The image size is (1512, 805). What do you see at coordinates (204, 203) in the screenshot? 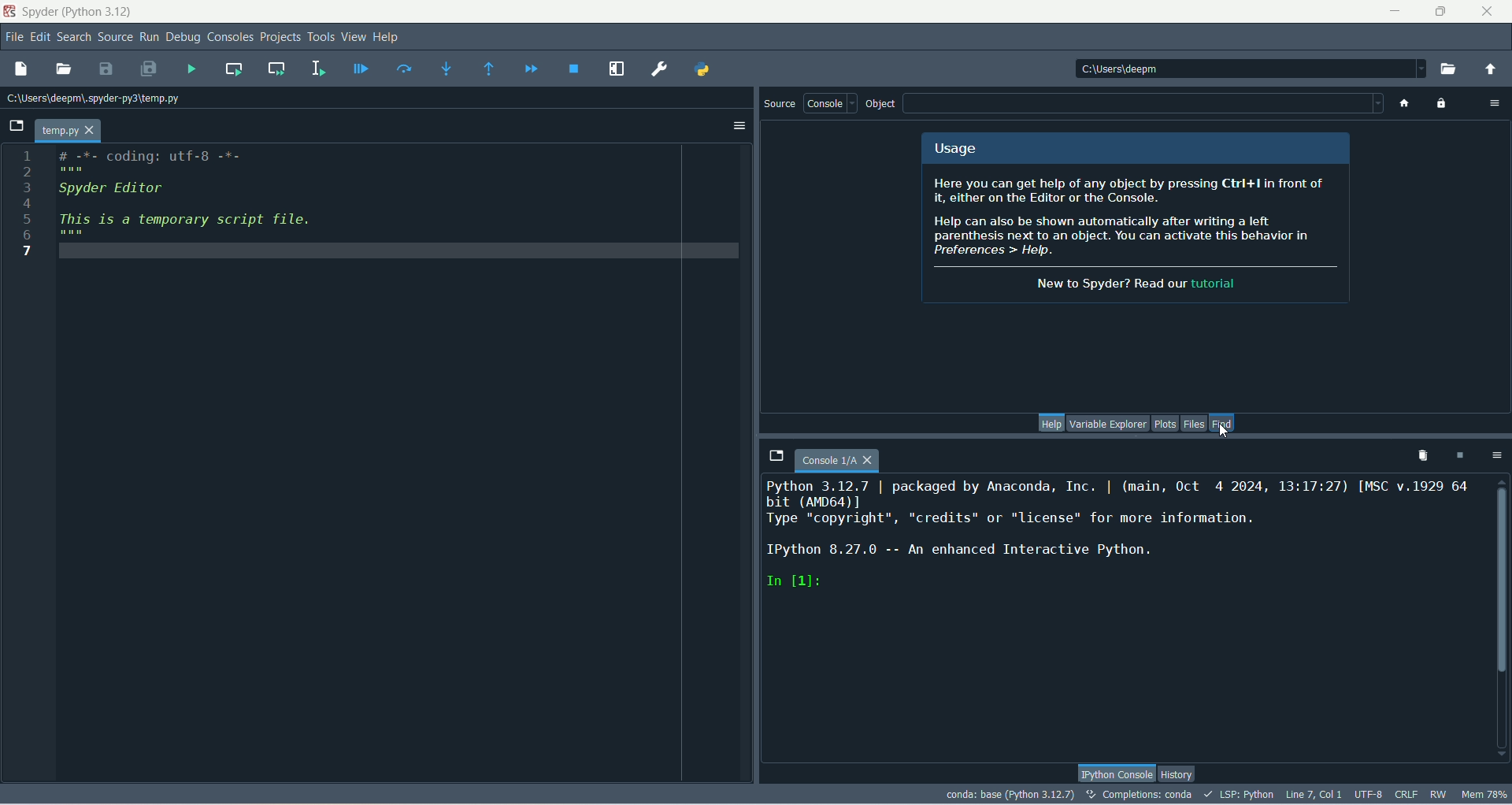
I see `editor pane text` at bounding box center [204, 203].